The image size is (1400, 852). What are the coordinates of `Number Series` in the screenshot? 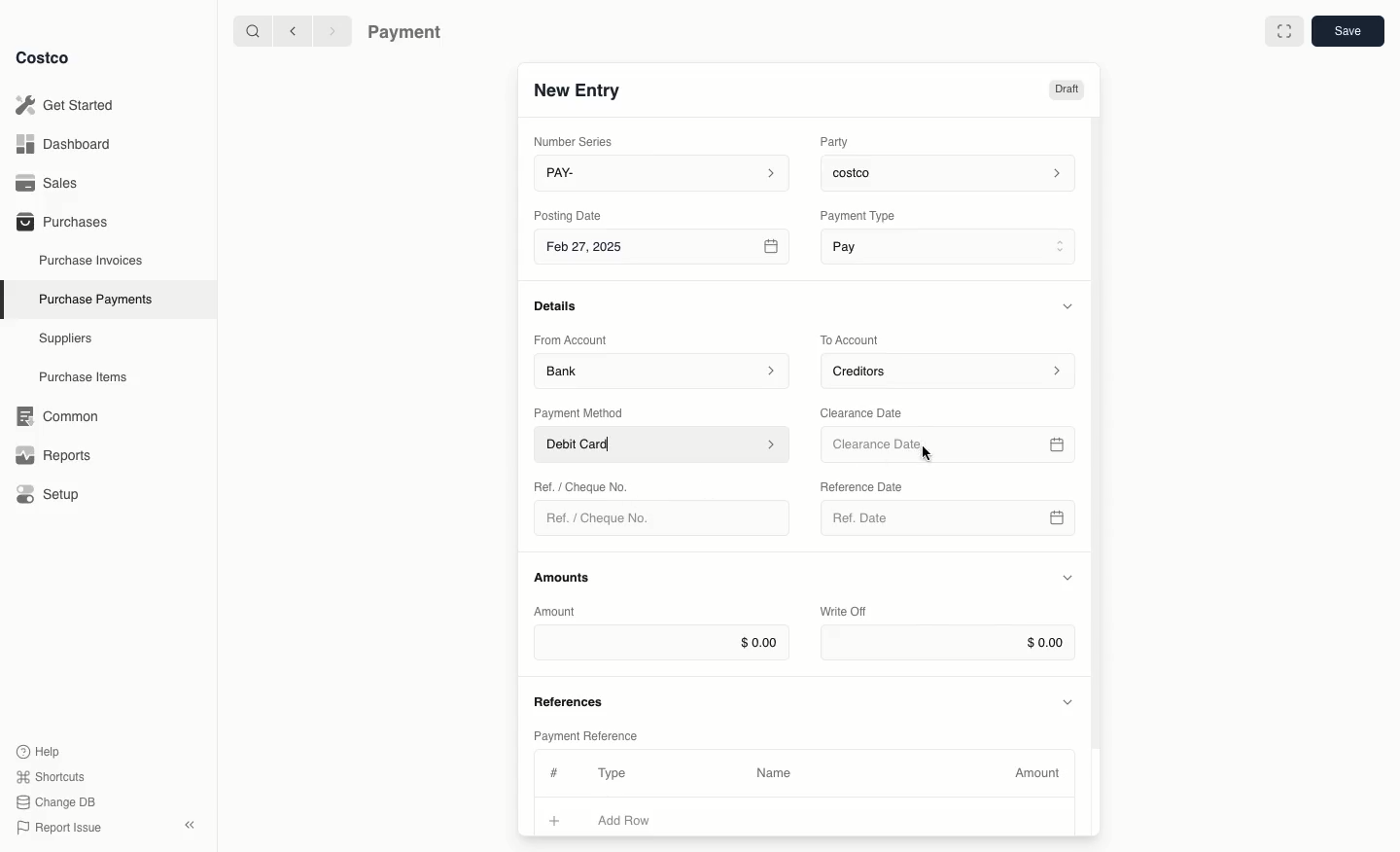 It's located at (577, 141).